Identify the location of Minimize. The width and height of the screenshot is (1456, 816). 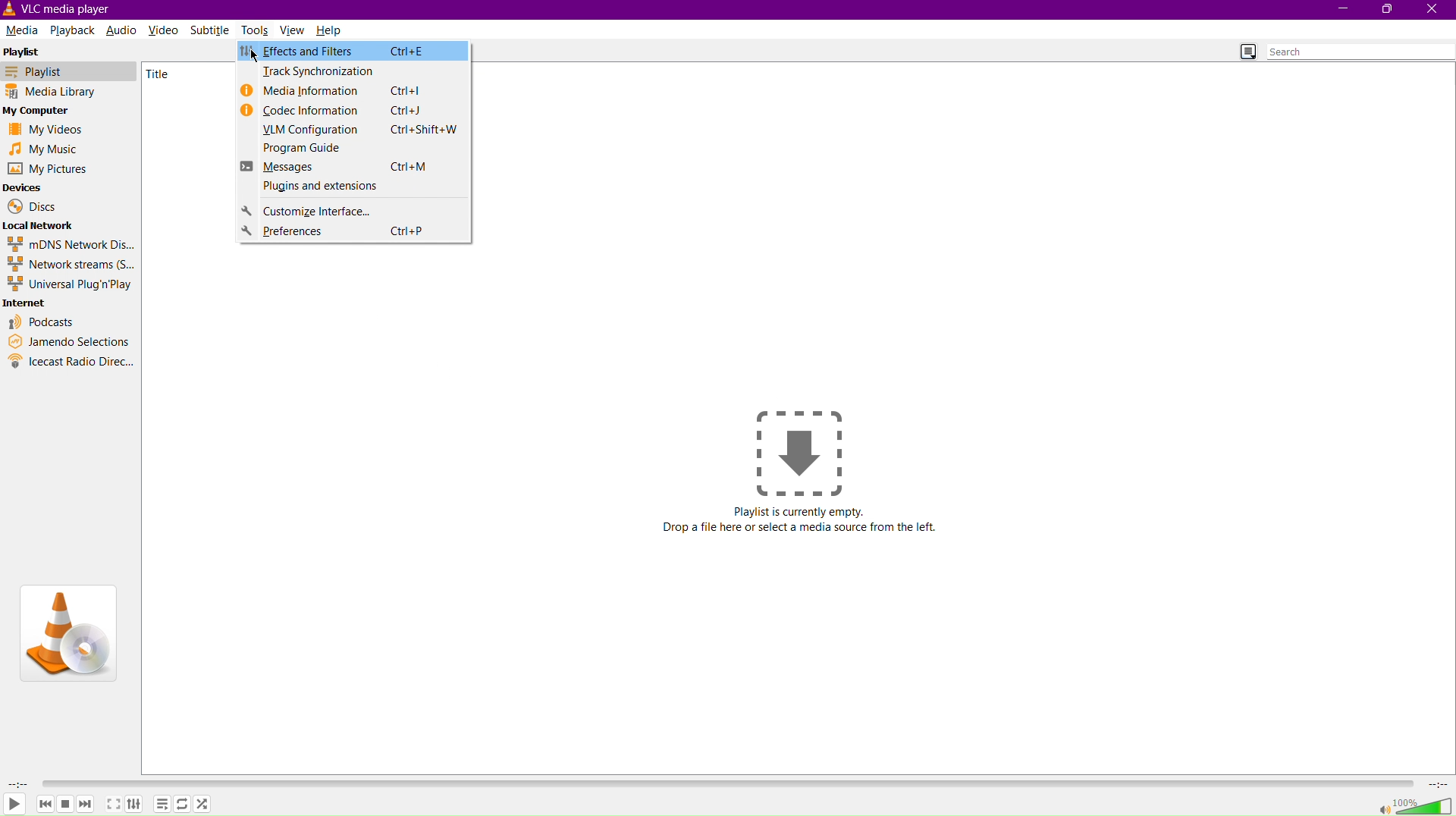
(1344, 10).